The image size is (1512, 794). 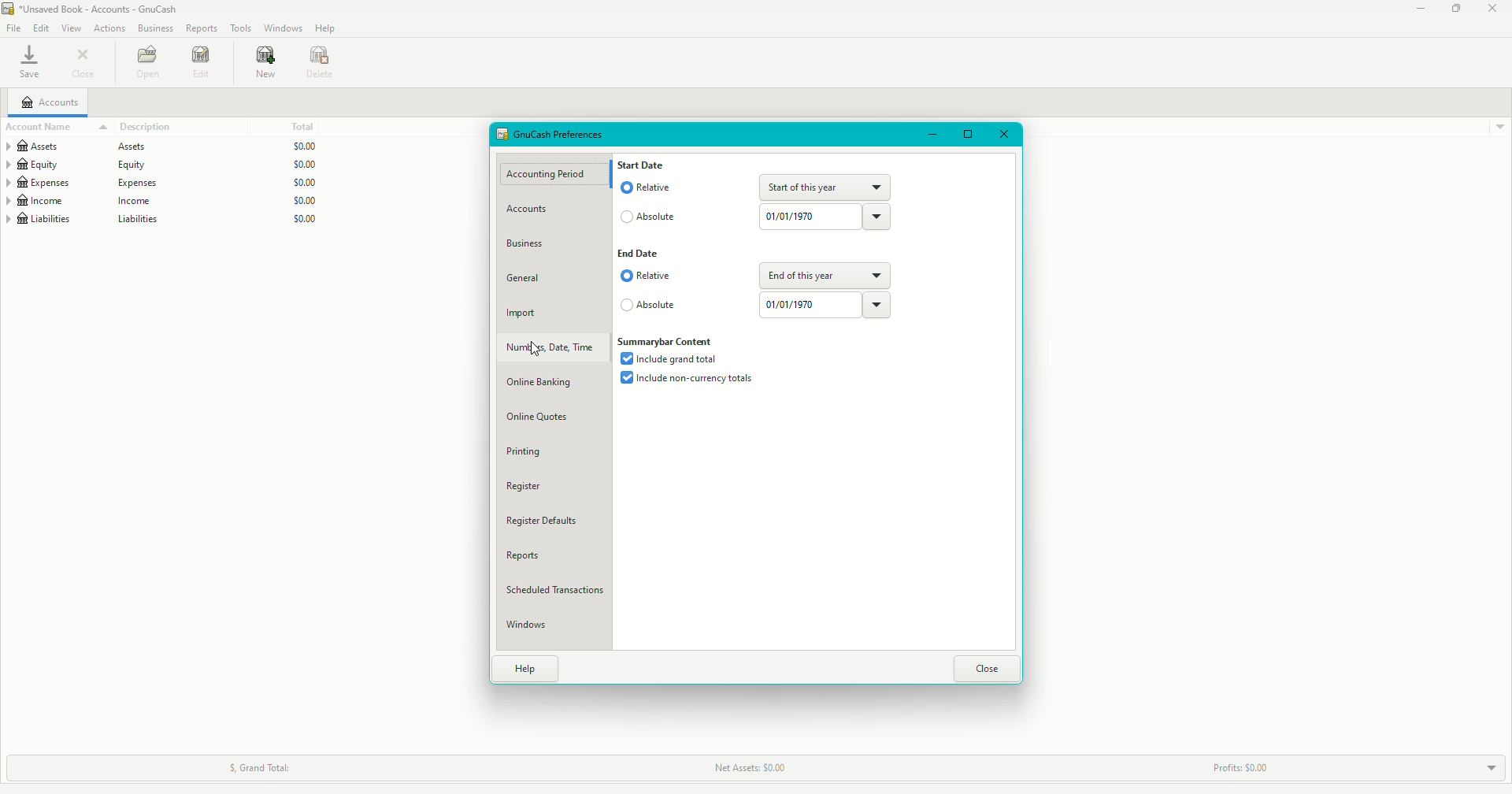 I want to click on Minimize, so click(x=1417, y=10).